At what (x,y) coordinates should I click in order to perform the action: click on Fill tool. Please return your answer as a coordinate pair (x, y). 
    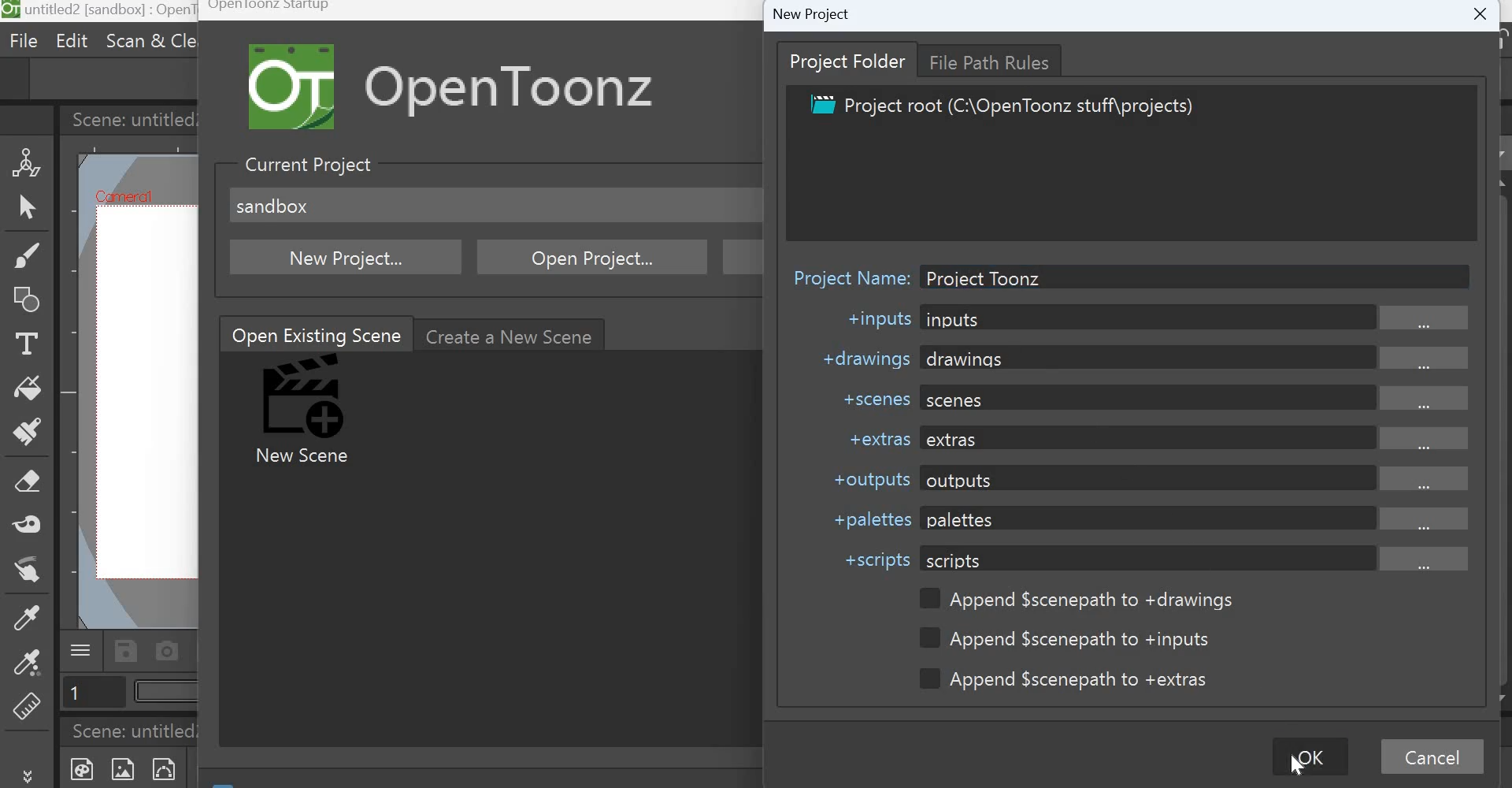
    Looking at the image, I should click on (28, 388).